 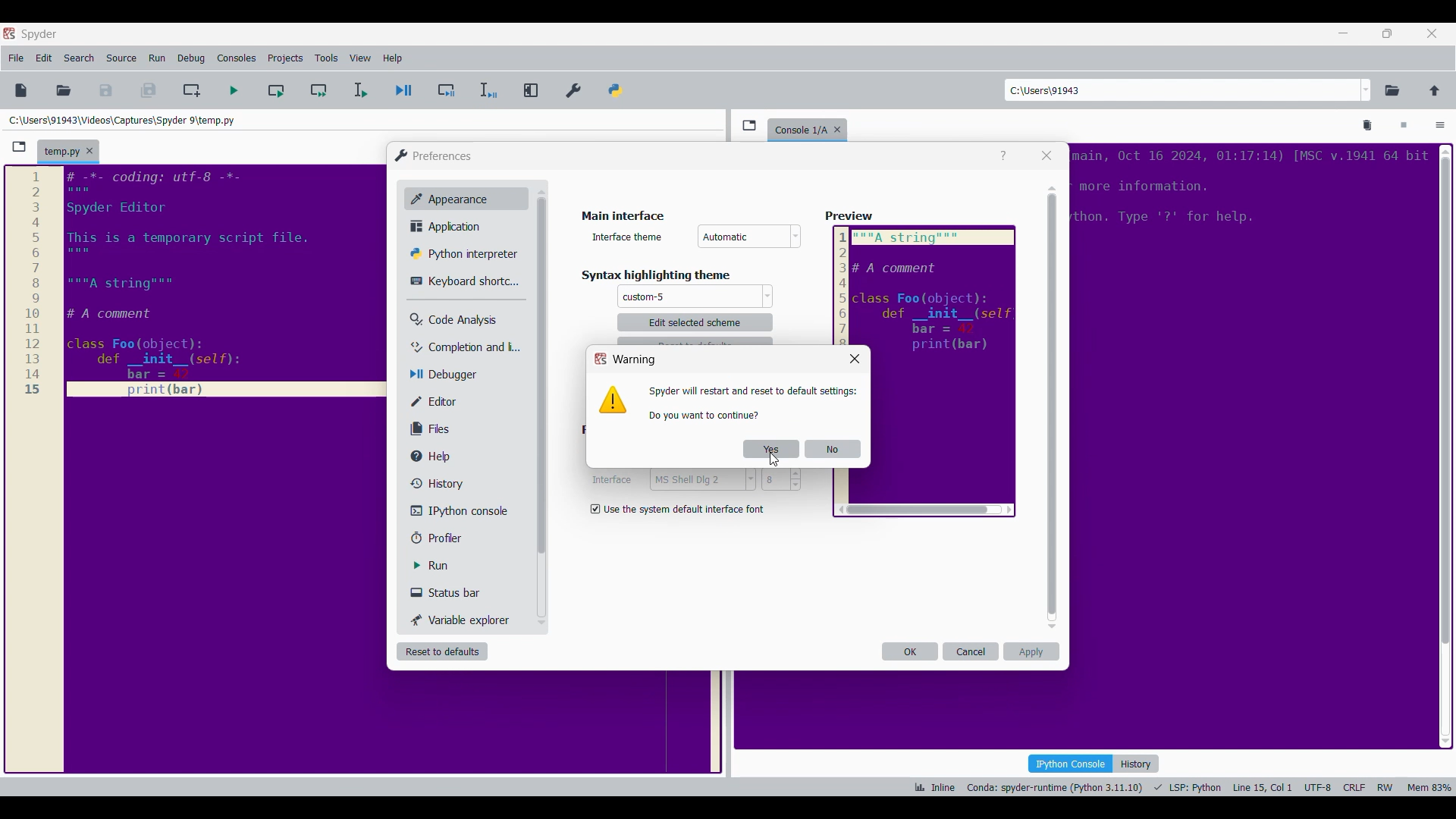 What do you see at coordinates (466, 319) in the screenshot?
I see `Code analysis` at bounding box center [466, 319].